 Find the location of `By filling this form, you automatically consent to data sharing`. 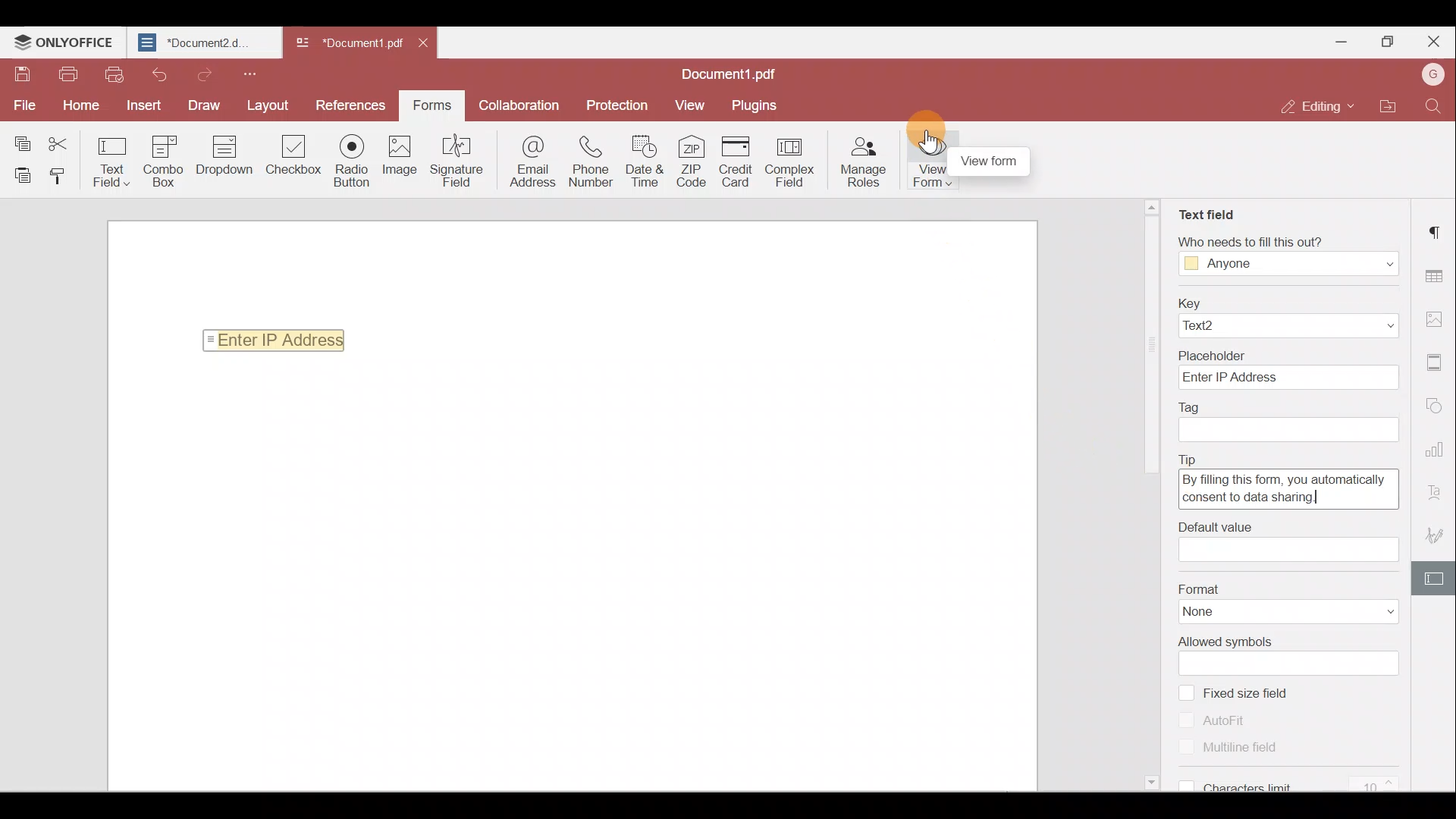

By filling this form, you automatically consent to data sharing is located at coordinates (1288, 488).